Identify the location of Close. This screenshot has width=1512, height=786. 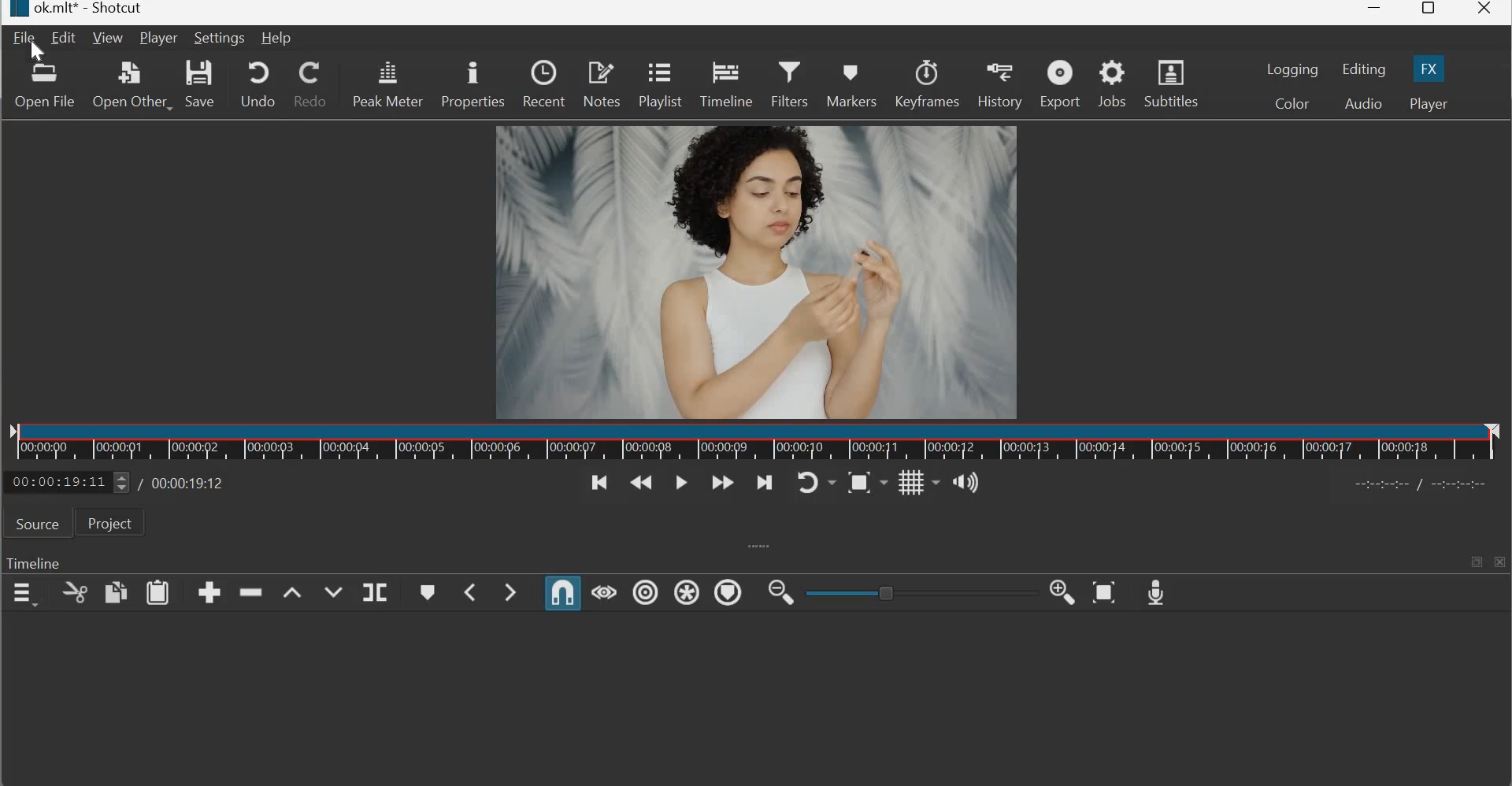
(1487, 12).